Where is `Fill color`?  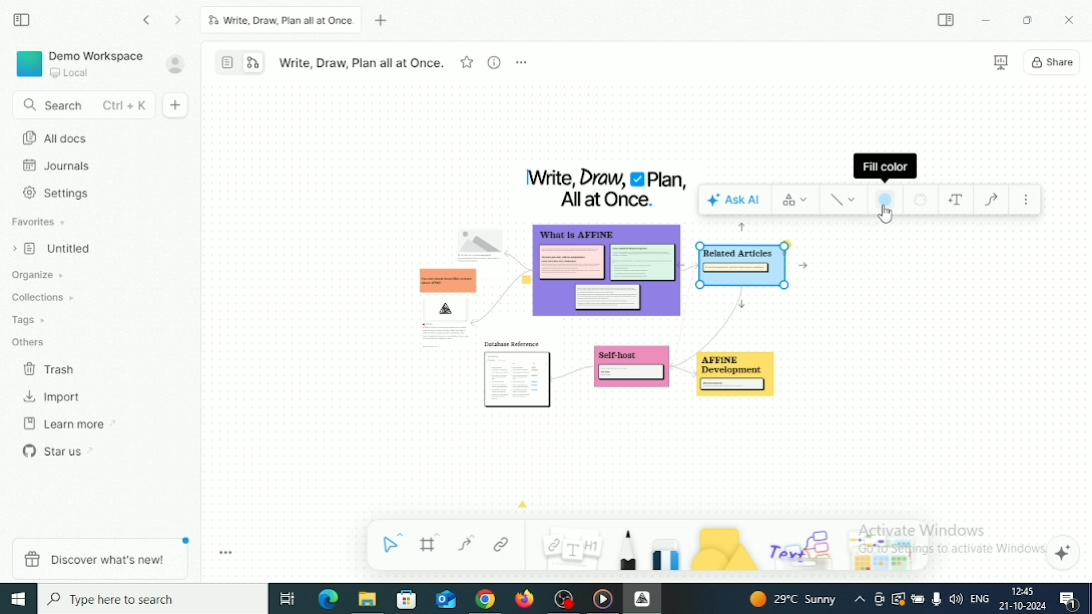 Fill color is located at coordinates (887, 198).